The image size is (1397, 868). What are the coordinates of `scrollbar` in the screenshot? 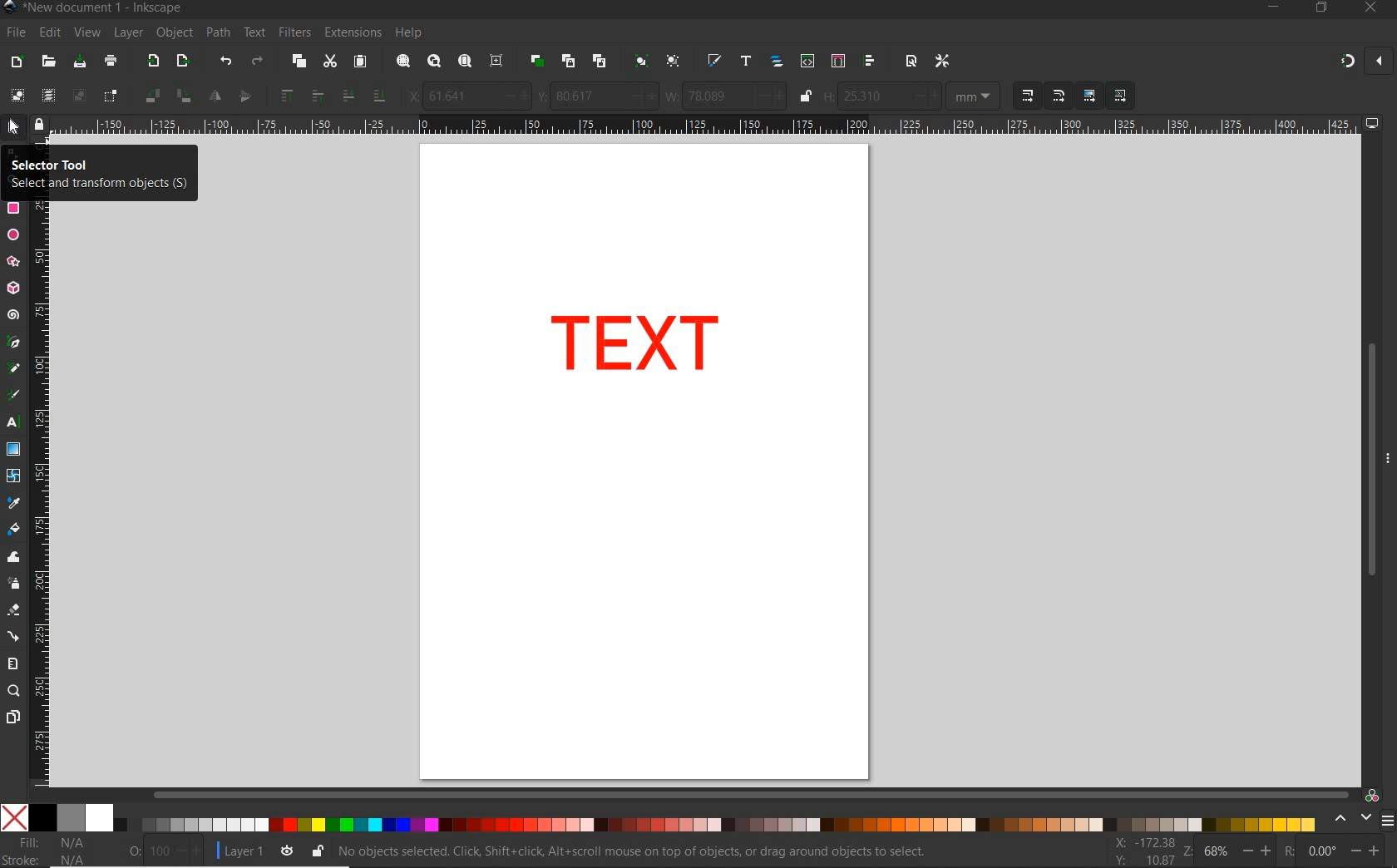 It's located at (751, 794).